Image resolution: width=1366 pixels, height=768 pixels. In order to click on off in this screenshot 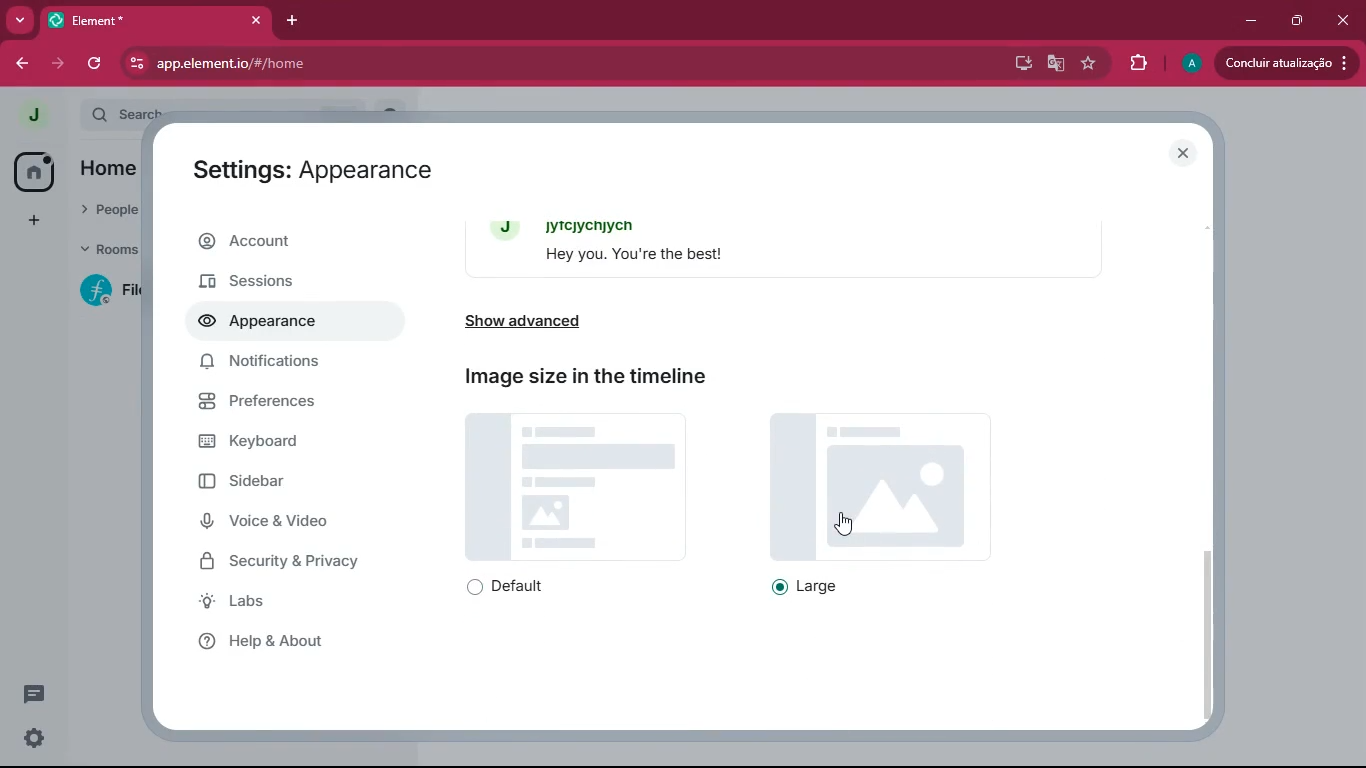, I will do `click(474, 588)`.